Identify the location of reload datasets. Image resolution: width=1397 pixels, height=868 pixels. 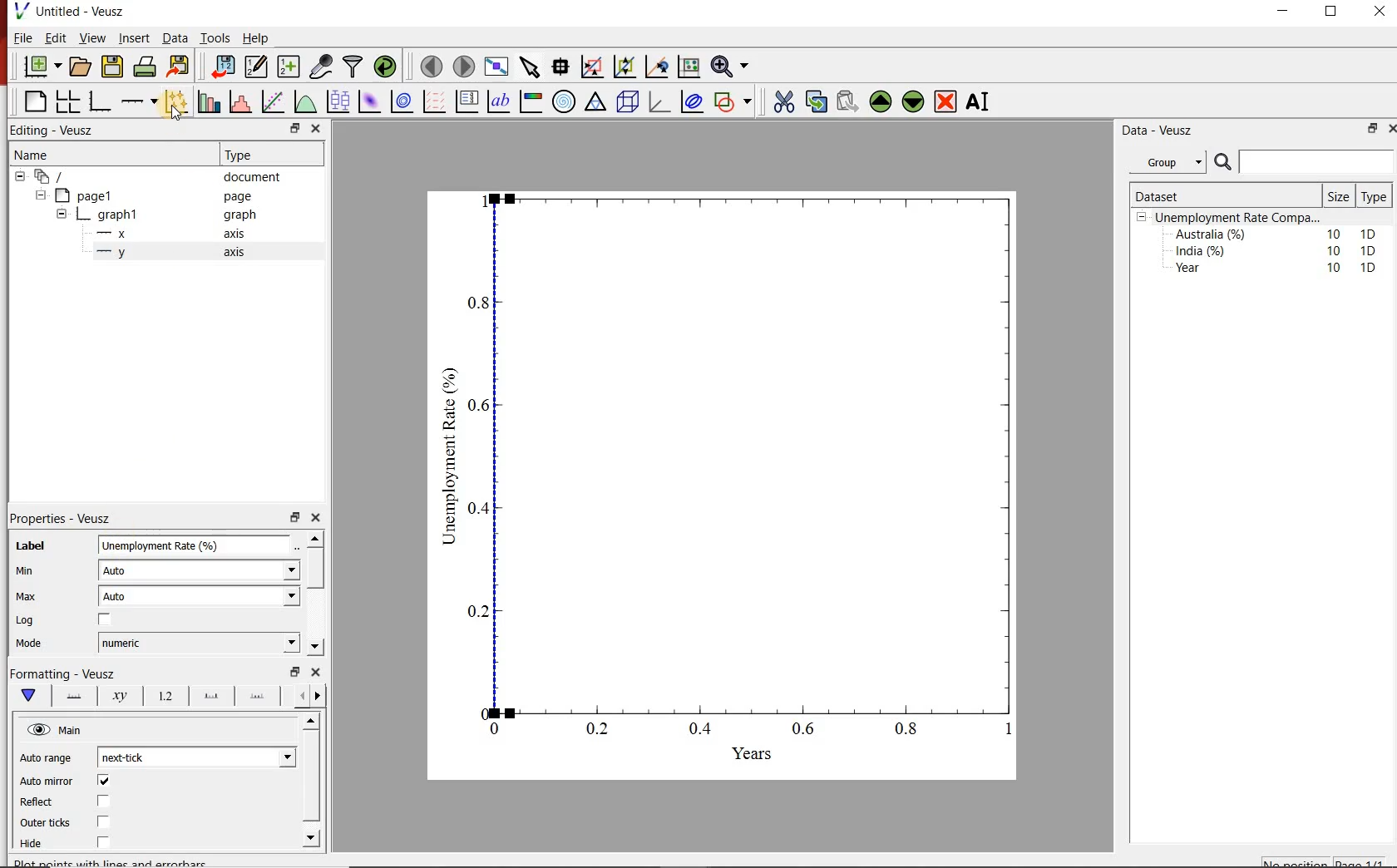
(386, 66).